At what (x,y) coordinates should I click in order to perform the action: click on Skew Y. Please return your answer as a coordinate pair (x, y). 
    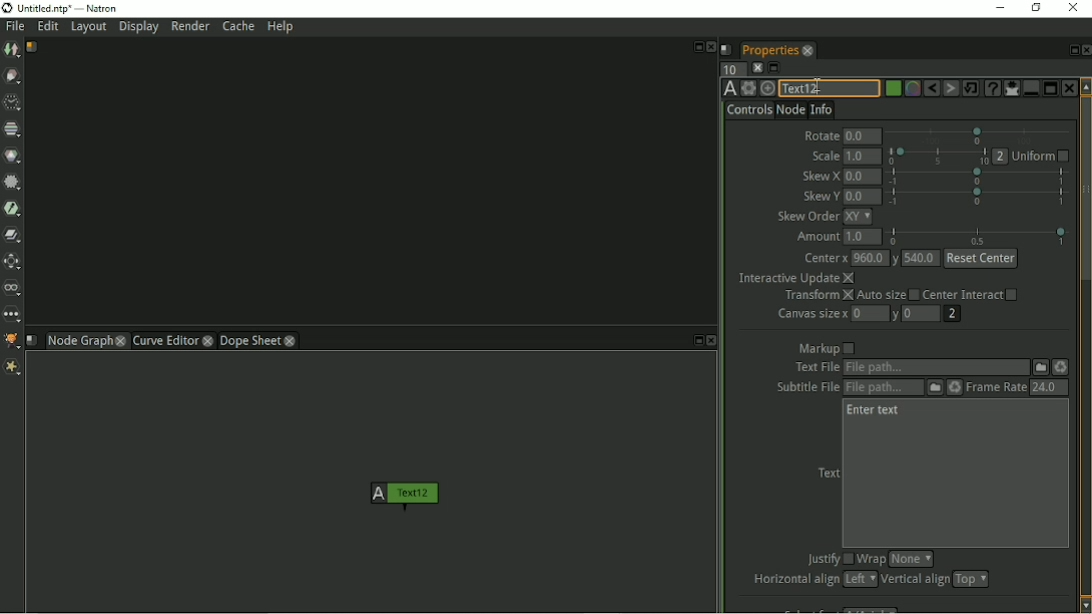
    Looking at the image, I should click on (819, 196).